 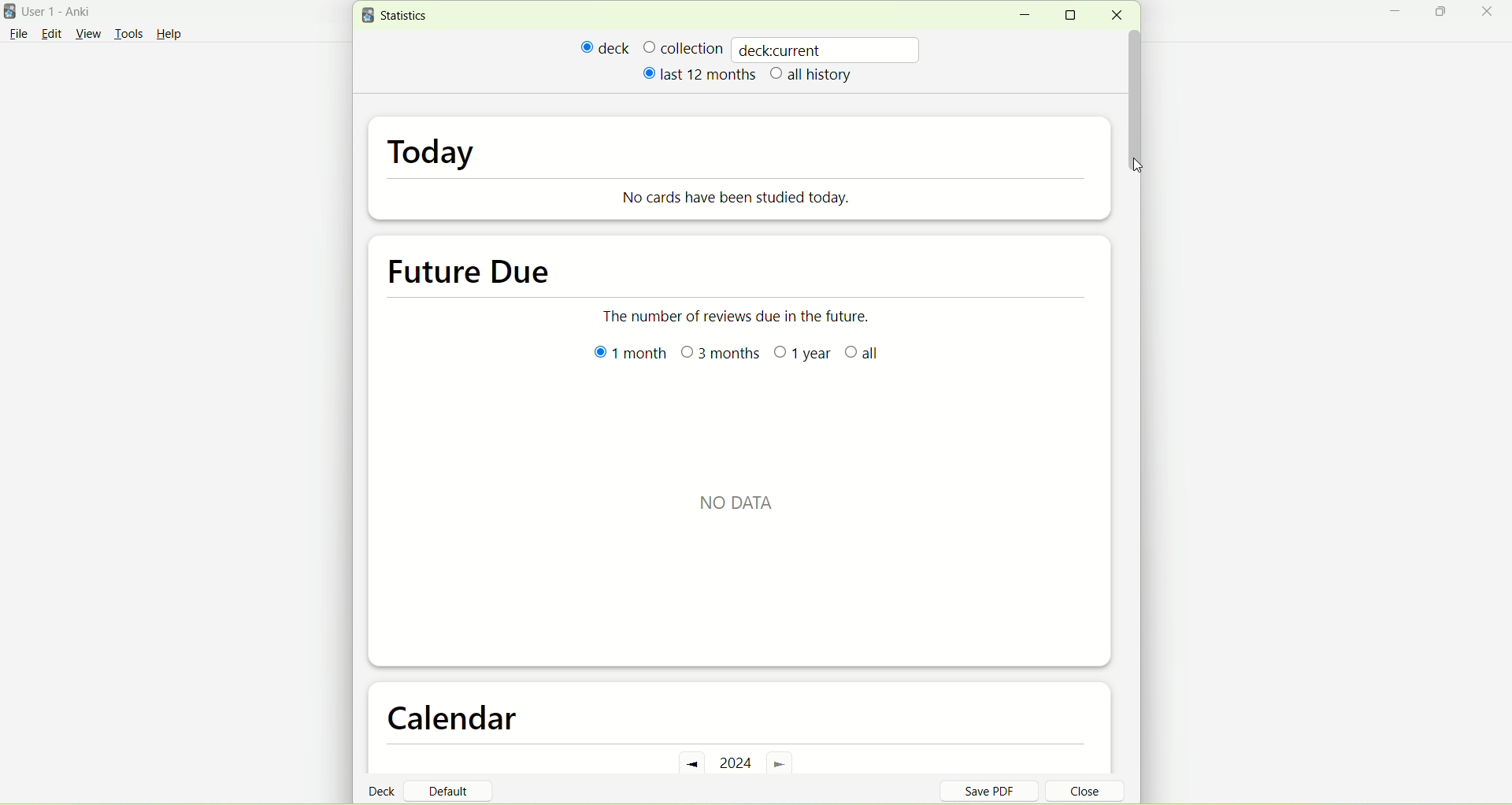 What do you see at coordinates (128, 35) in the screenshot?
I see `tools` at bounding box center [128, 35].